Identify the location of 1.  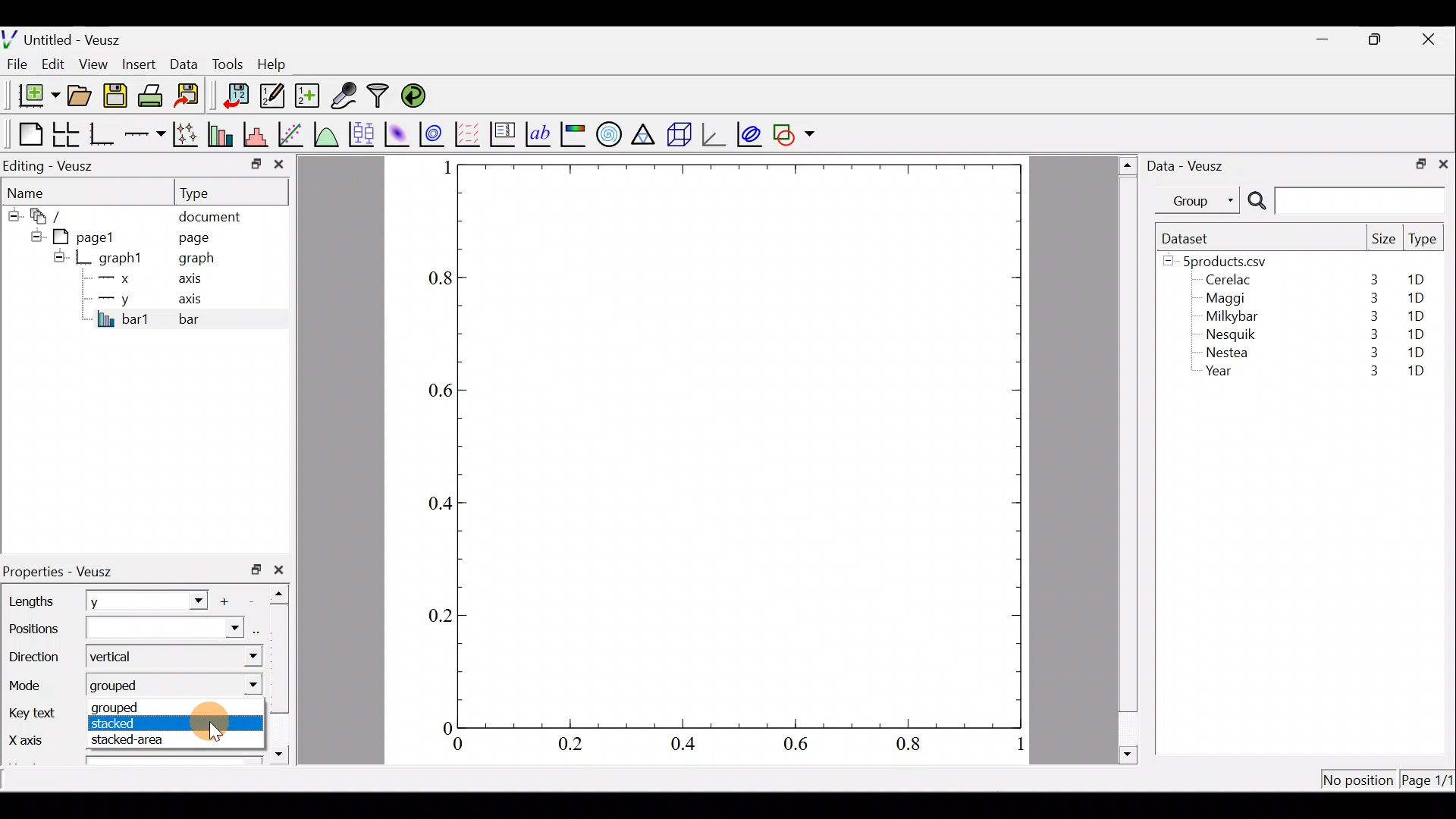
(1018, 747).